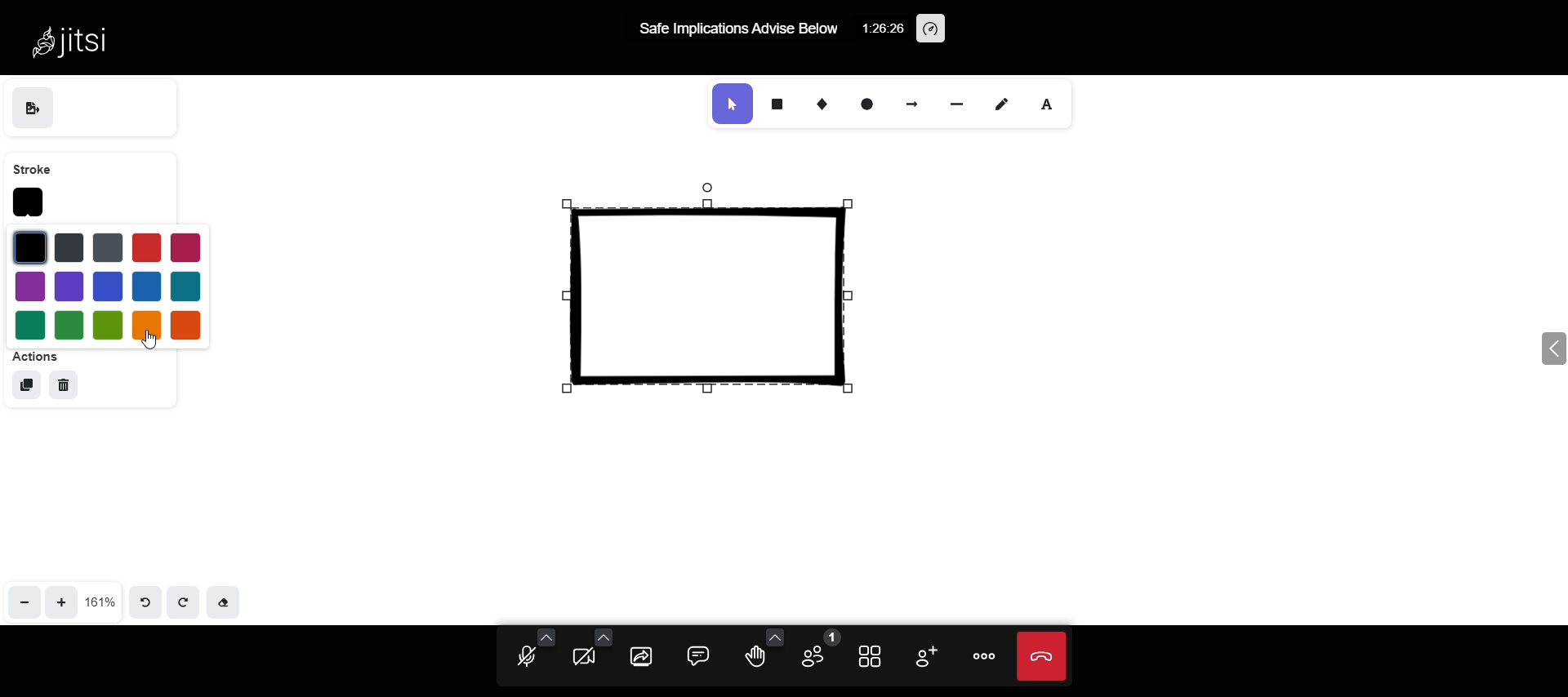 The width and height of the screenshot is (1568, 697). What do you see at coordinates (229, 600) in the screenshot?
I see `Eraser` at bounding box center [229, 600].